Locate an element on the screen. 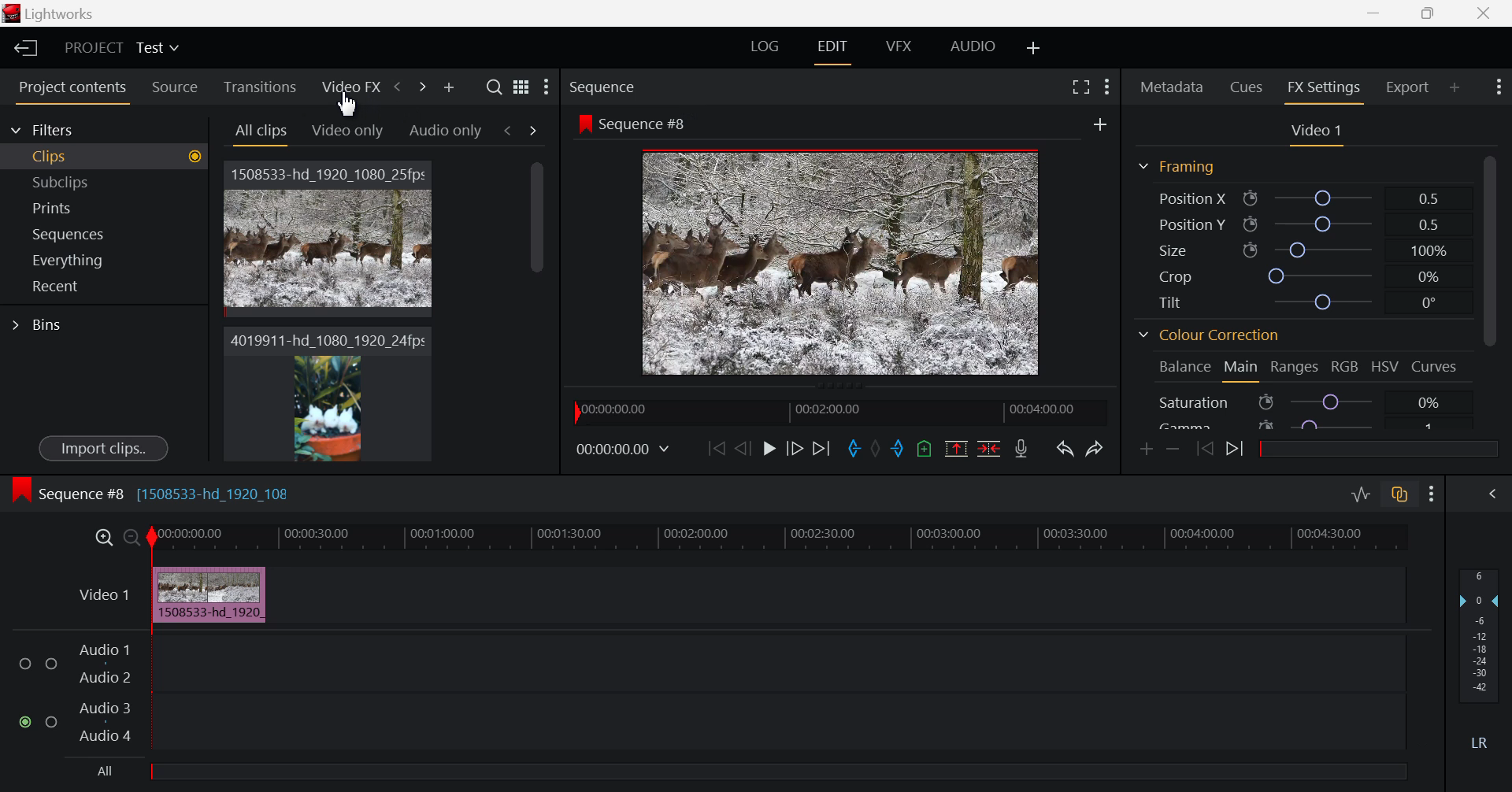 This screenshot has height=792, width=1512. Delete/Cut is located at coordinates (991, 449).